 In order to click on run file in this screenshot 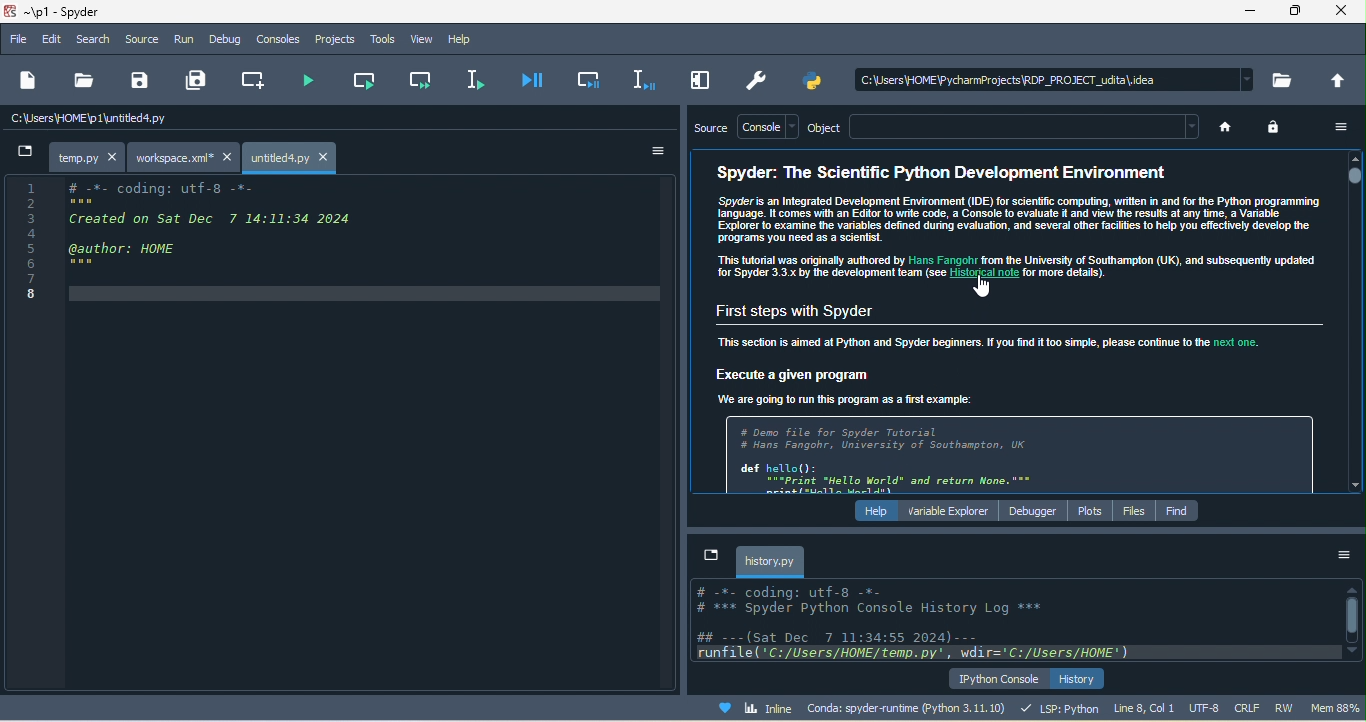, I will do `click(308, 83)`.